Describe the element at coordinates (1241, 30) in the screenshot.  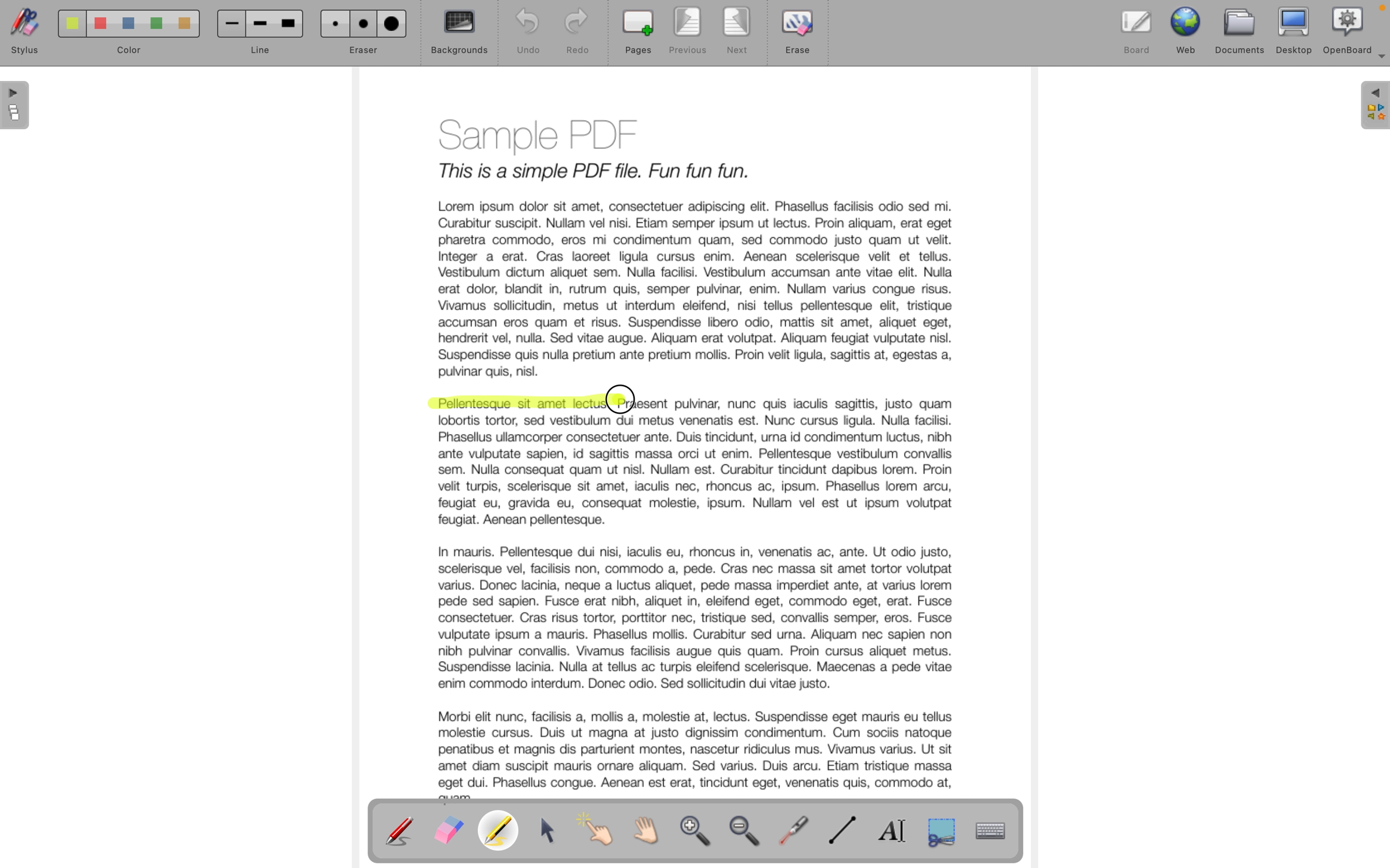
I see `documents` at that location.